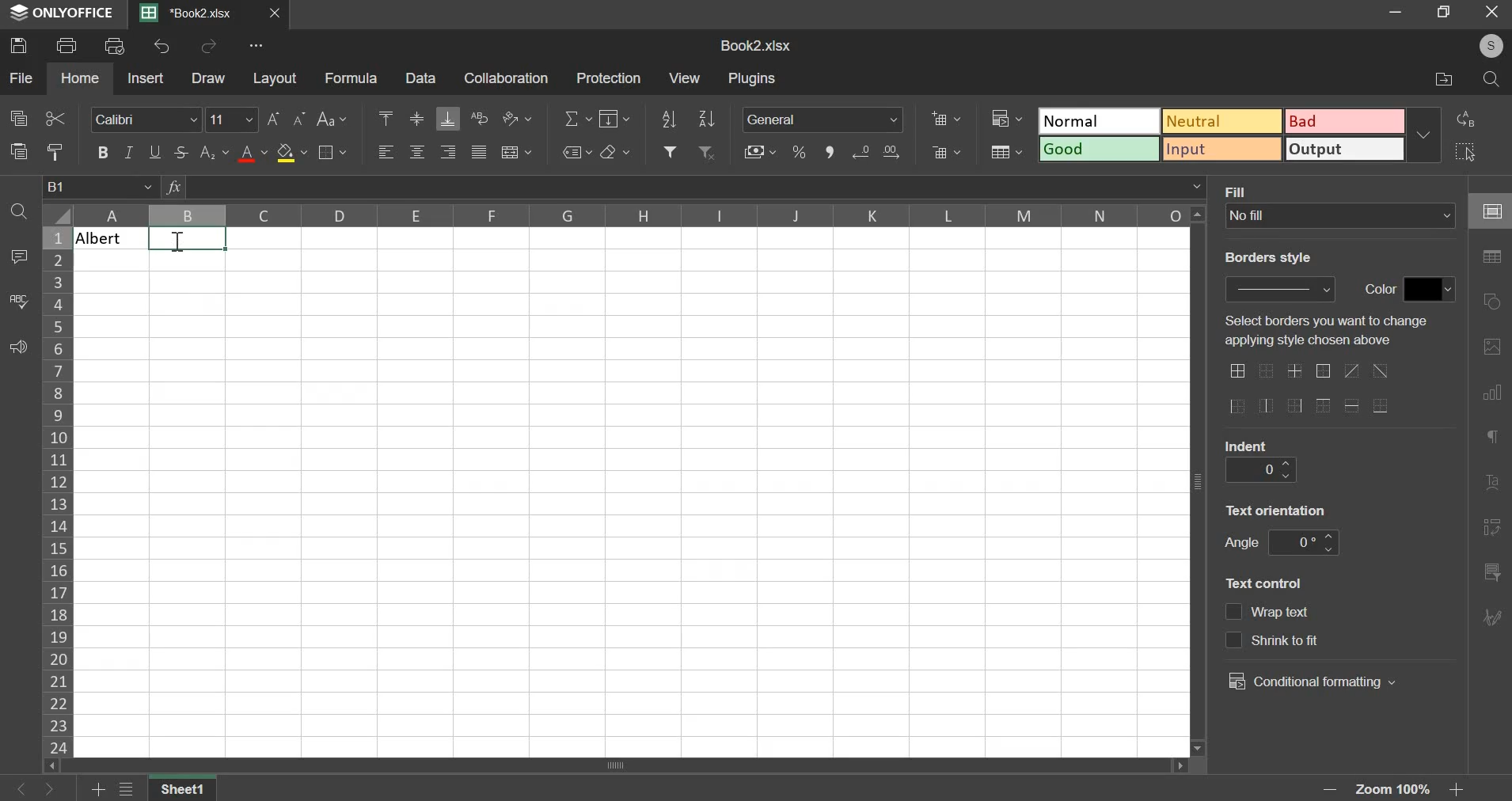  What do you see at coordinates (215, 152) in the screenshot?
I see `subscript & superscript` at bounding box center [215, 152].